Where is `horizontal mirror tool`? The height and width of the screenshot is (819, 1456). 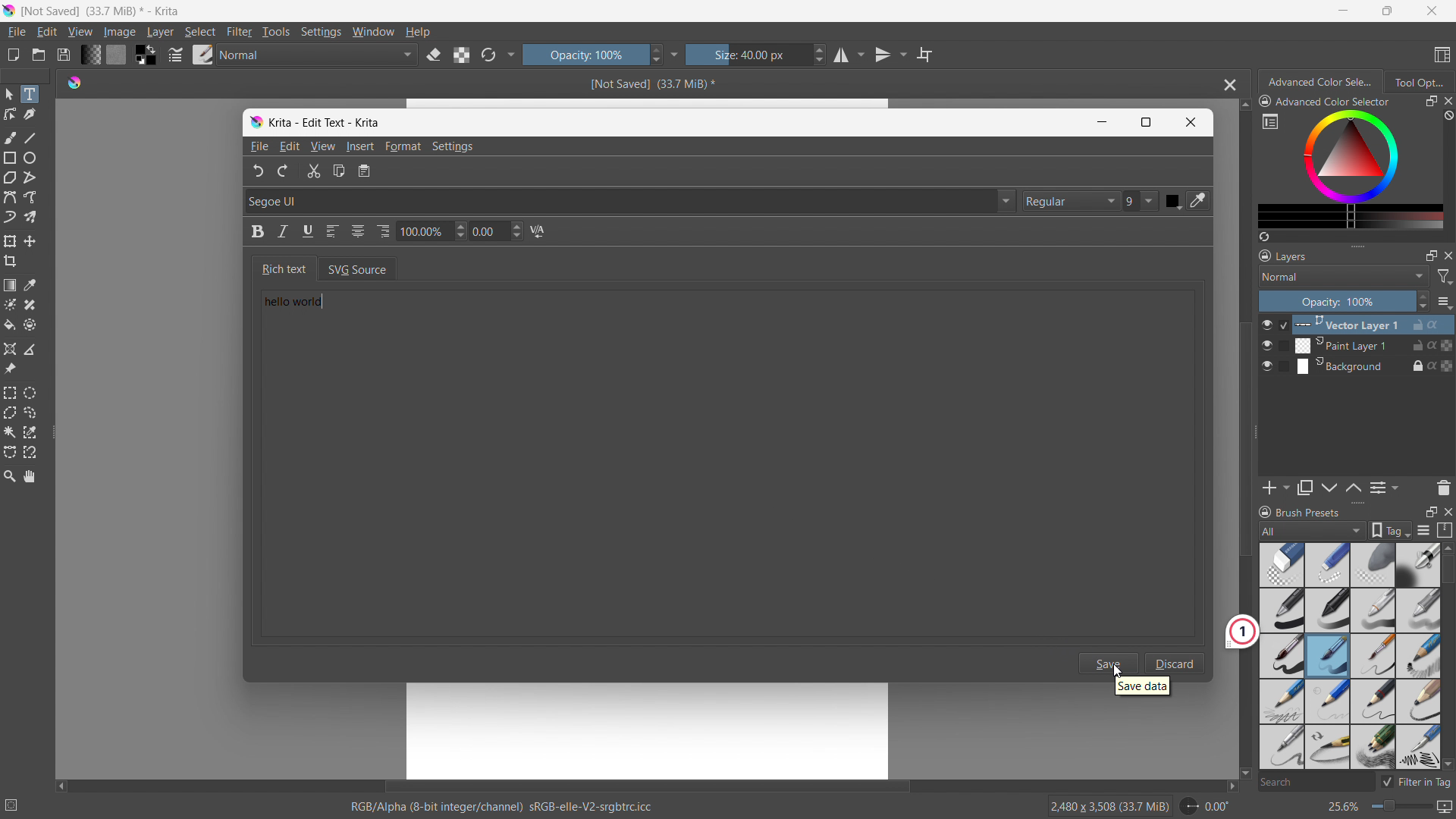 horizontal mirror tool is located at coordinates (848, 55).